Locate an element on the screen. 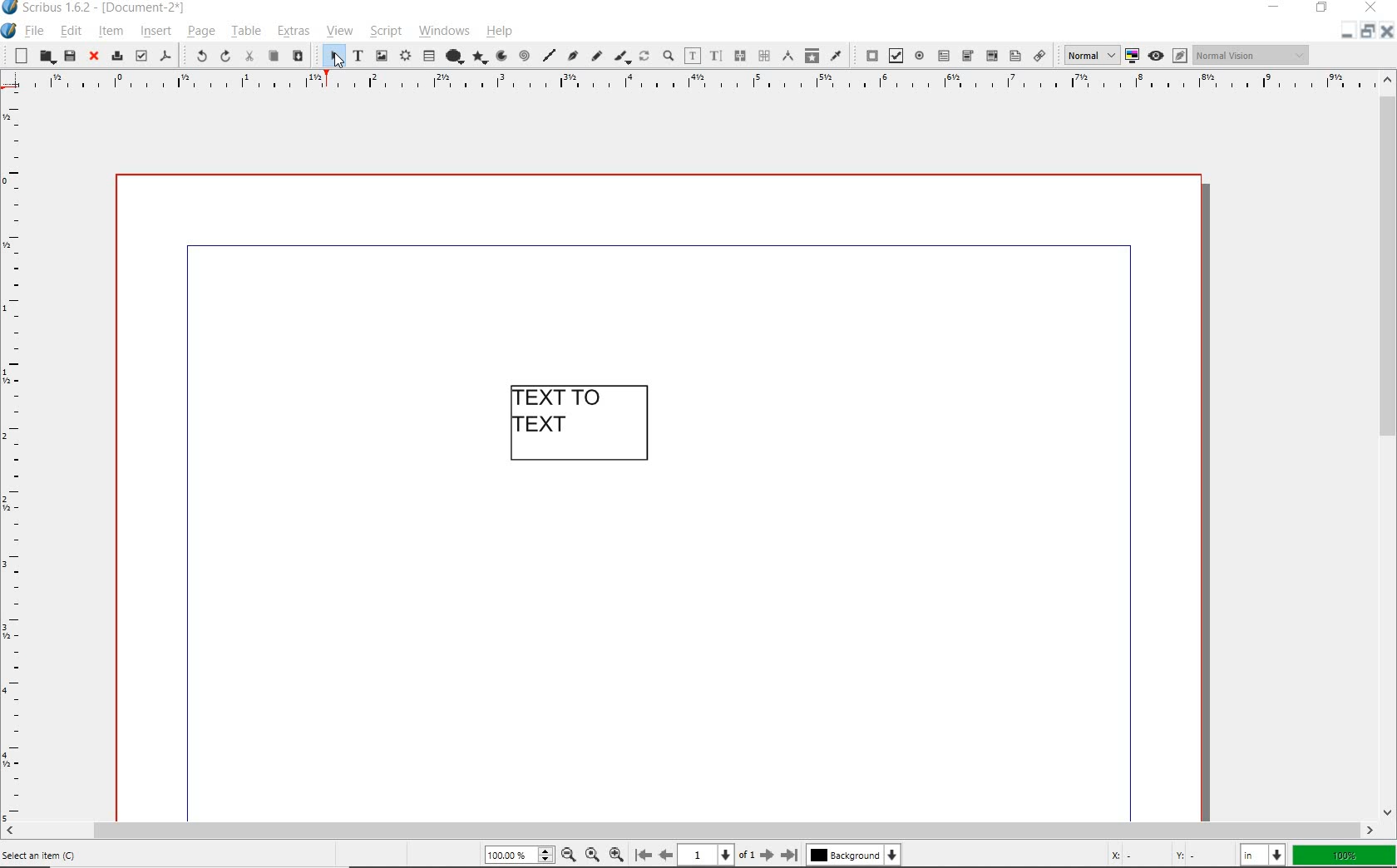 This screenshot has width=1397, height=868. pdf radio button is located at coordinates (919, 56).